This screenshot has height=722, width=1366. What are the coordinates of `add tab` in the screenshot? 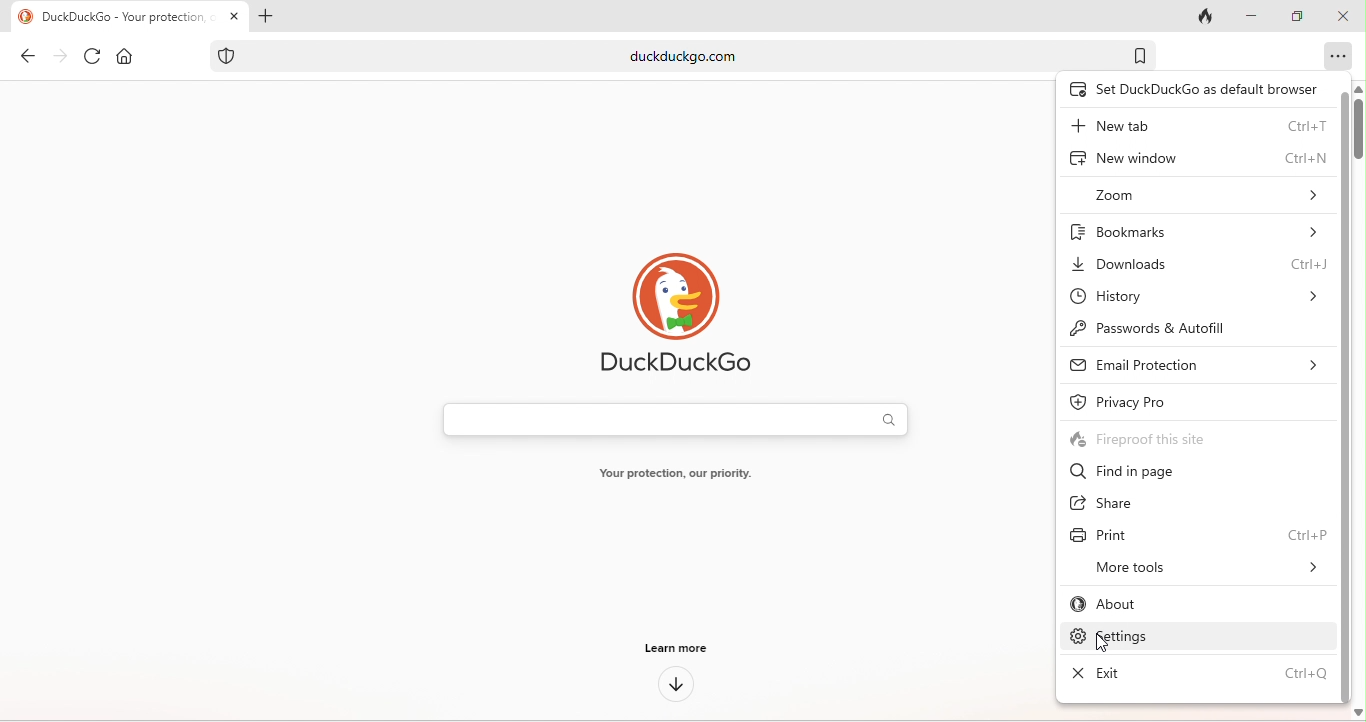 It's located at (270, 17).